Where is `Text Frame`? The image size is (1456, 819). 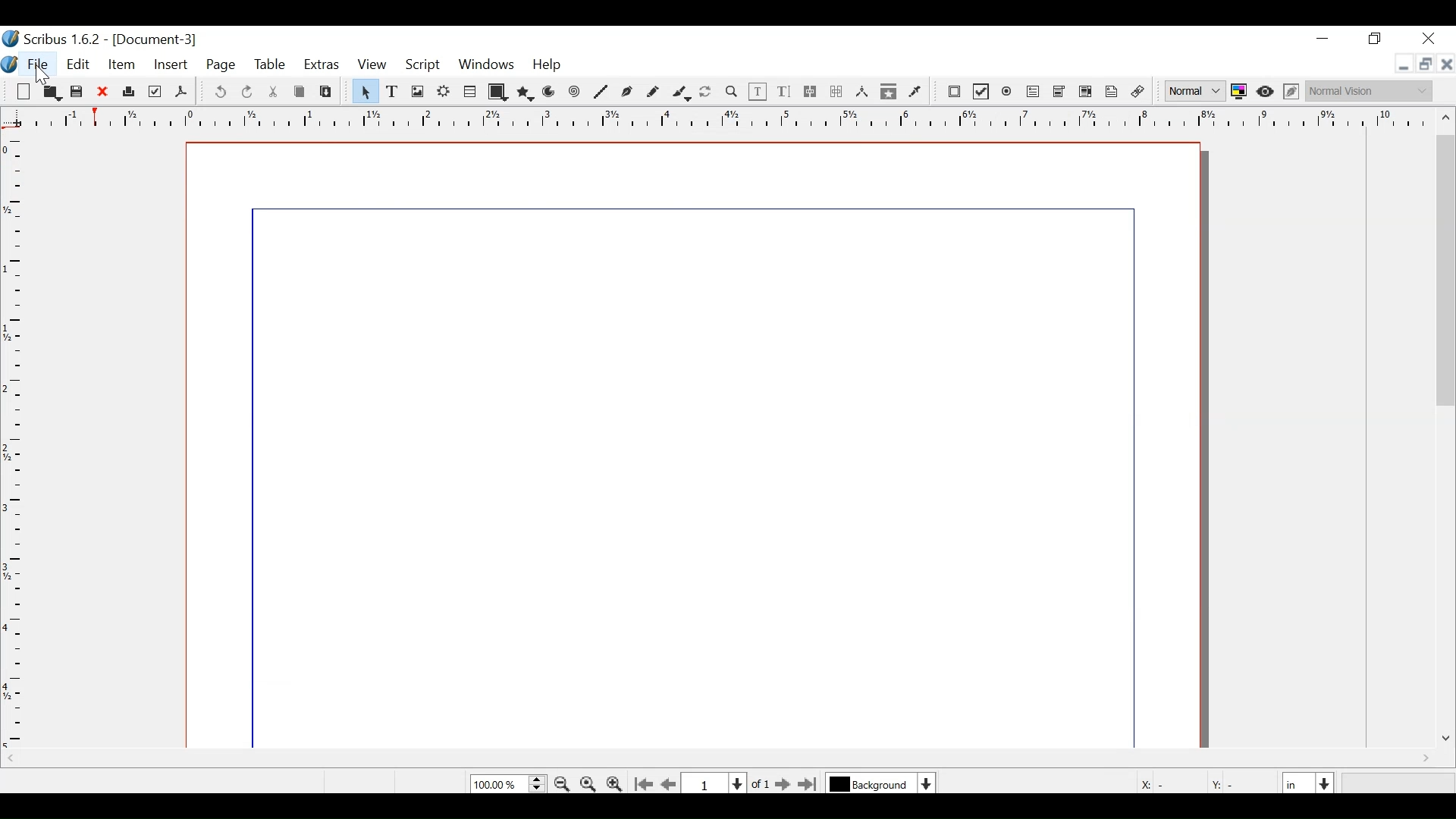 Text Frame is located at coordinates (393, 91).